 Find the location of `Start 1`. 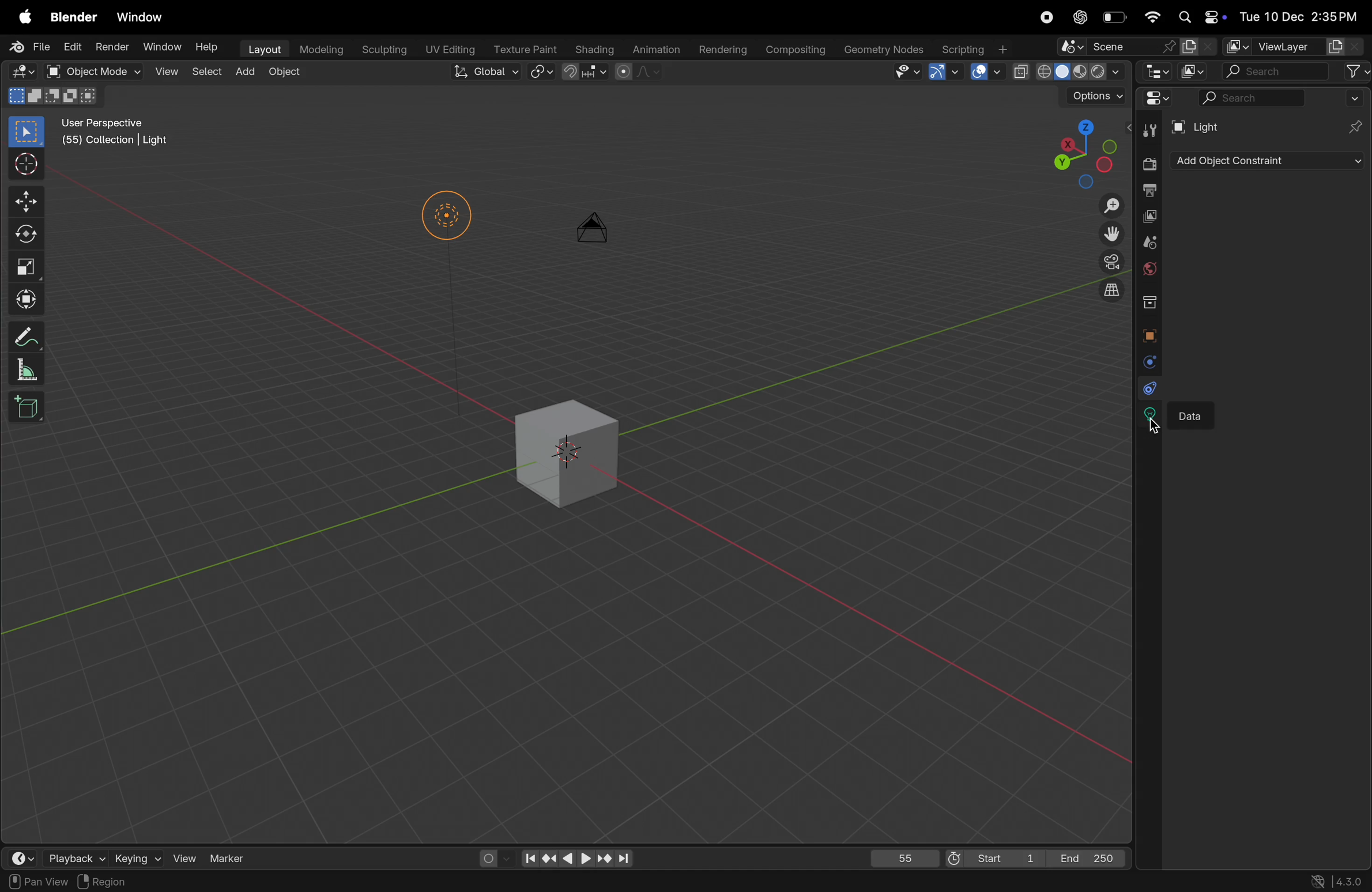

Start 1 is located at coordinates (993, 856).